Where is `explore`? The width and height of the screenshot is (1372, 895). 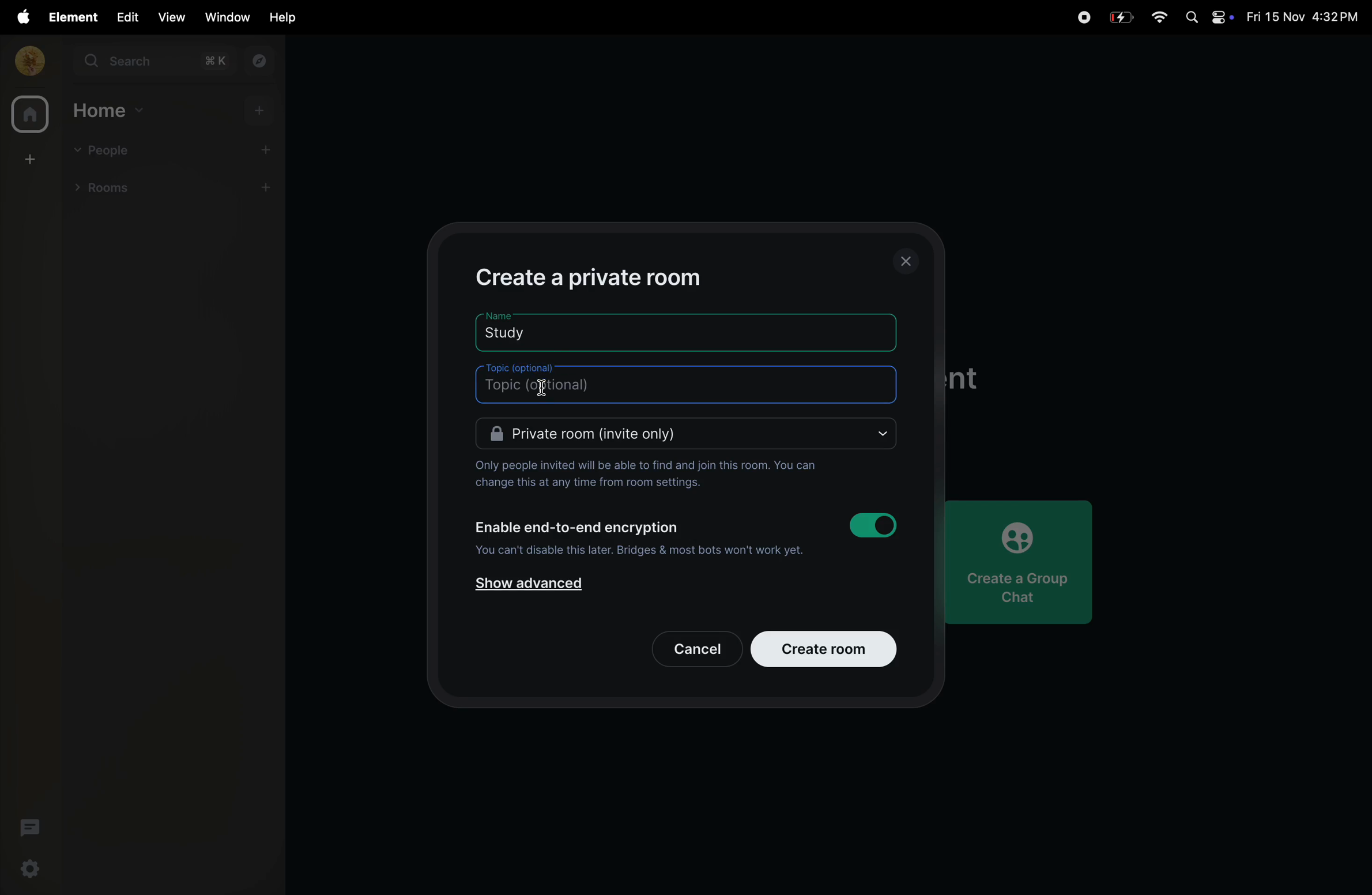
explore is located at coordinates (261, 62).